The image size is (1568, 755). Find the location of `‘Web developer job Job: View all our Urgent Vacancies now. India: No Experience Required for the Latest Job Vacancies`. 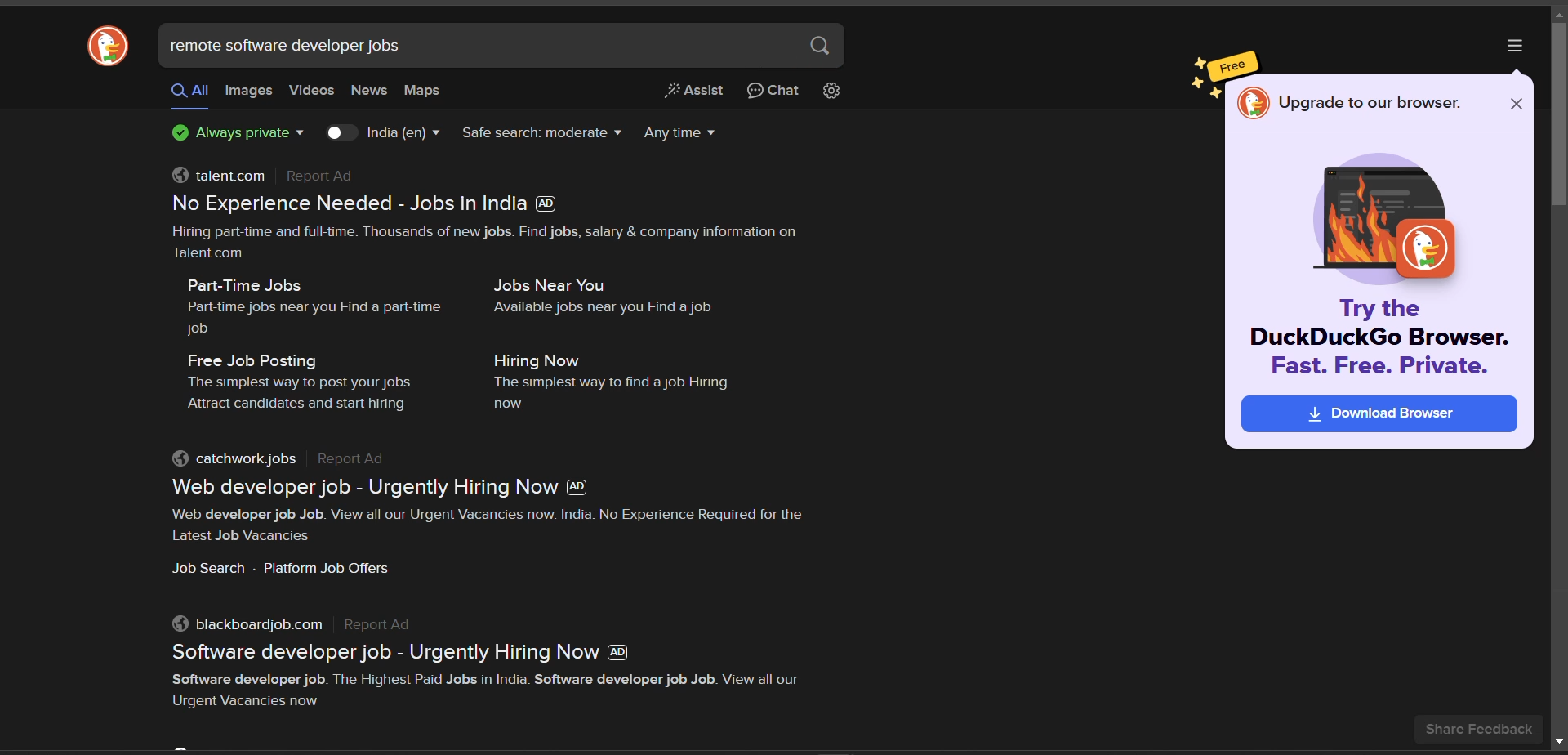

‘Web developer job Job: View all our Urgent Vacancies now. India: No Experience Required for the Latest Job Vacancies is located at coordinates (485, 525).